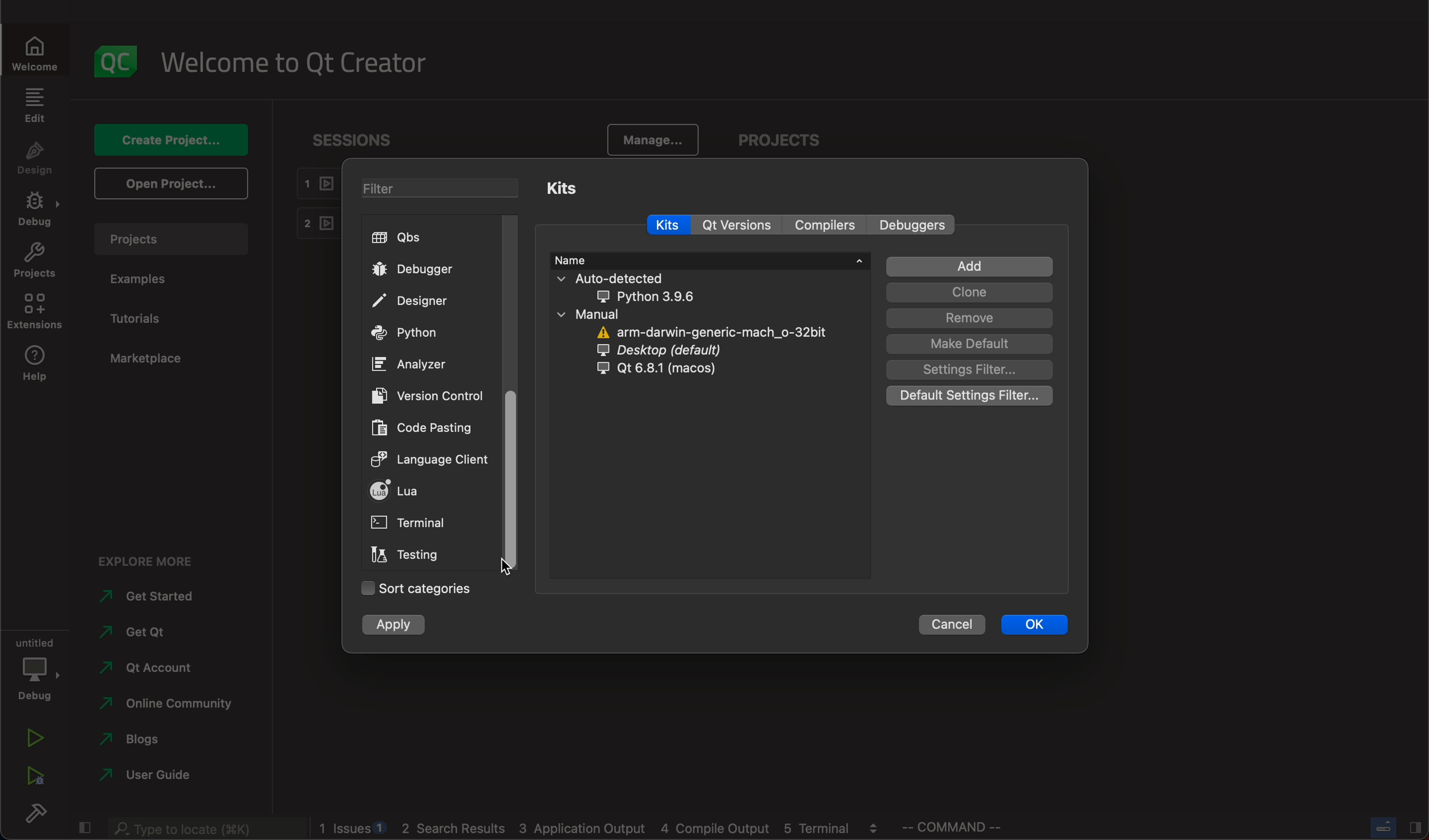  What do you see at coordinates (709, 260) in the screenshot?
I see `name` at bounding box center [709, 260].